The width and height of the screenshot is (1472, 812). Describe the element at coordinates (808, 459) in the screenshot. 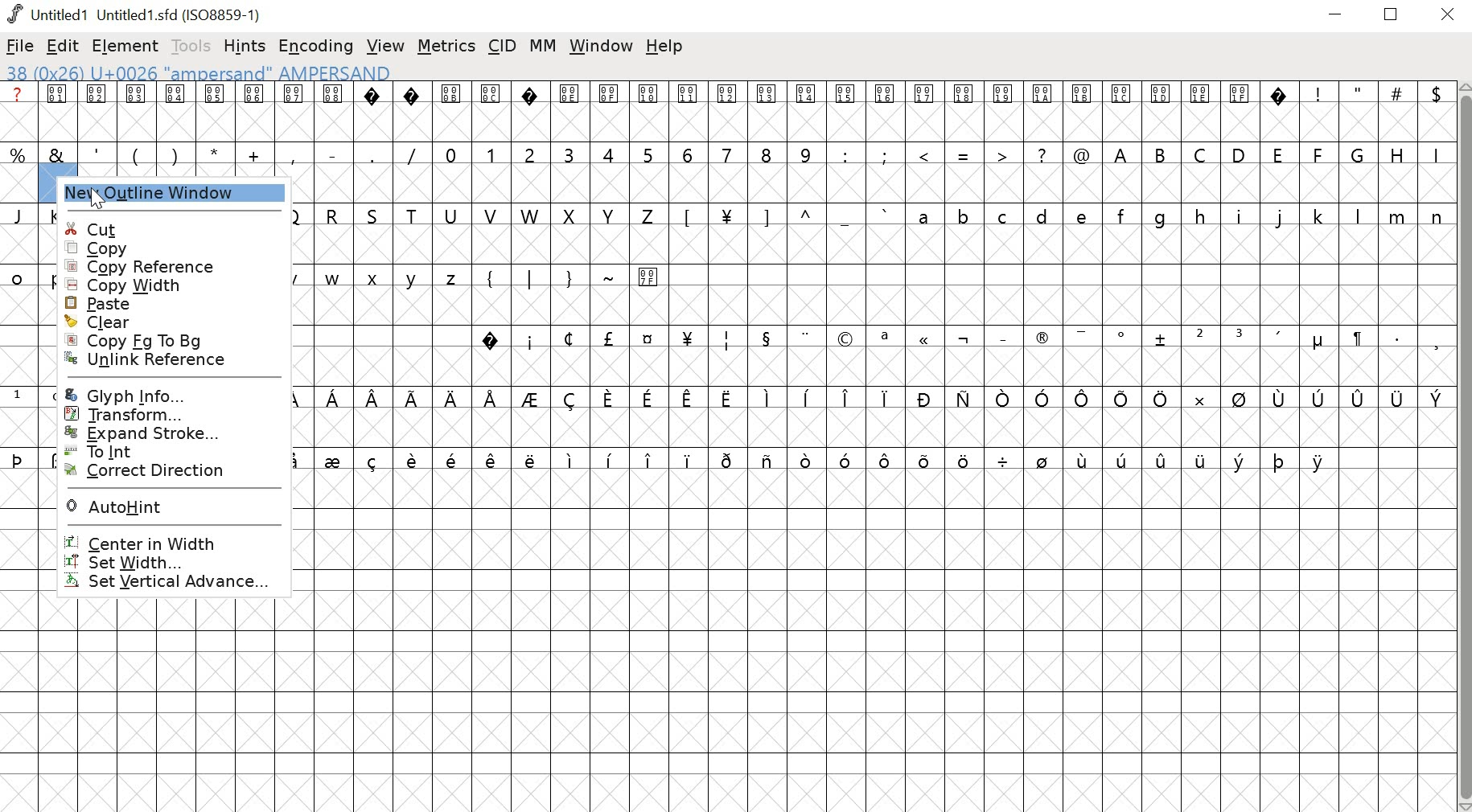

I see `symbol` at that location.